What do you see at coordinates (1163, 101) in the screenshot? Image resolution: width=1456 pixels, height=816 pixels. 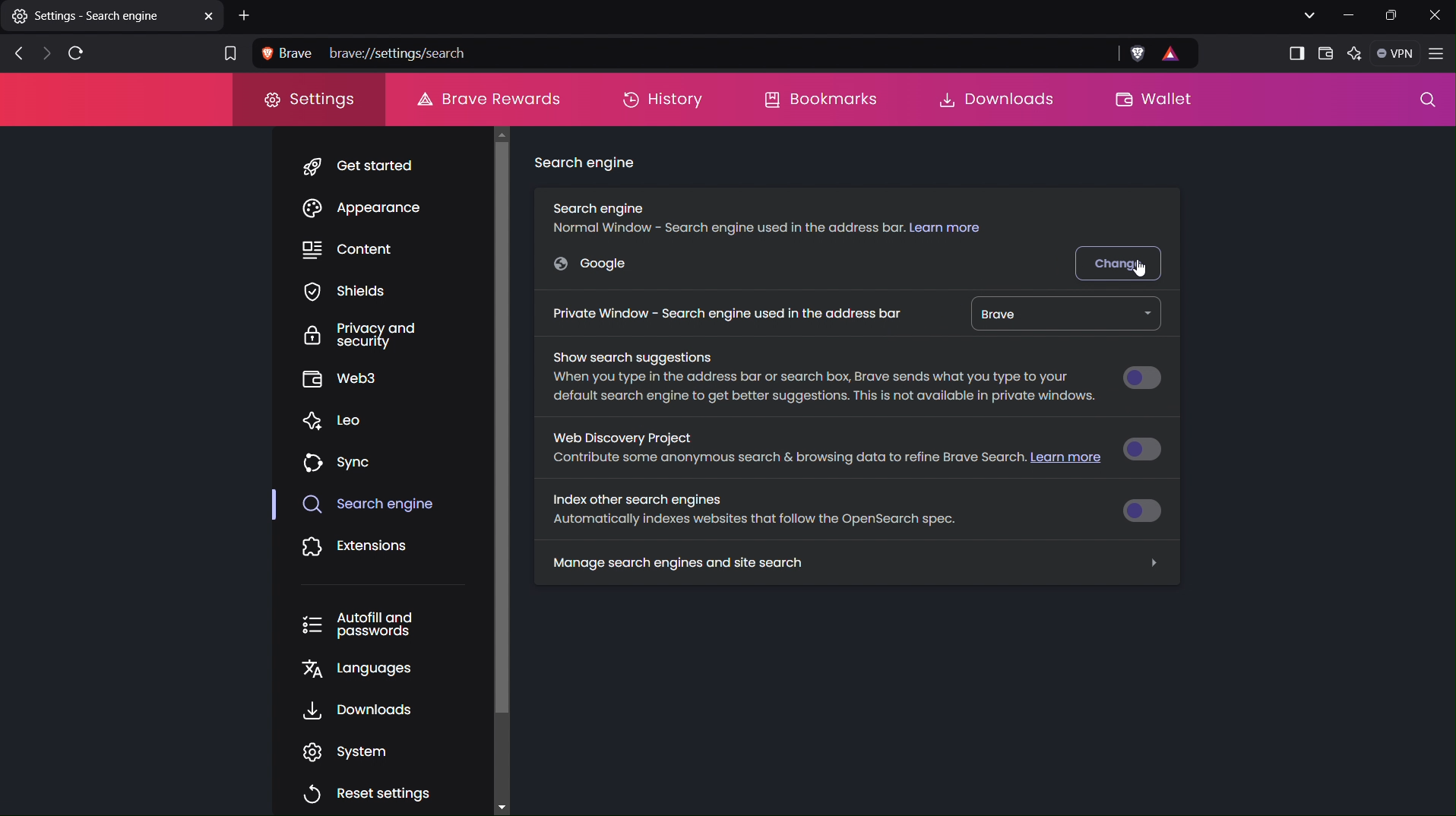 I see `Wallet` at bounding box center [1163, 101].